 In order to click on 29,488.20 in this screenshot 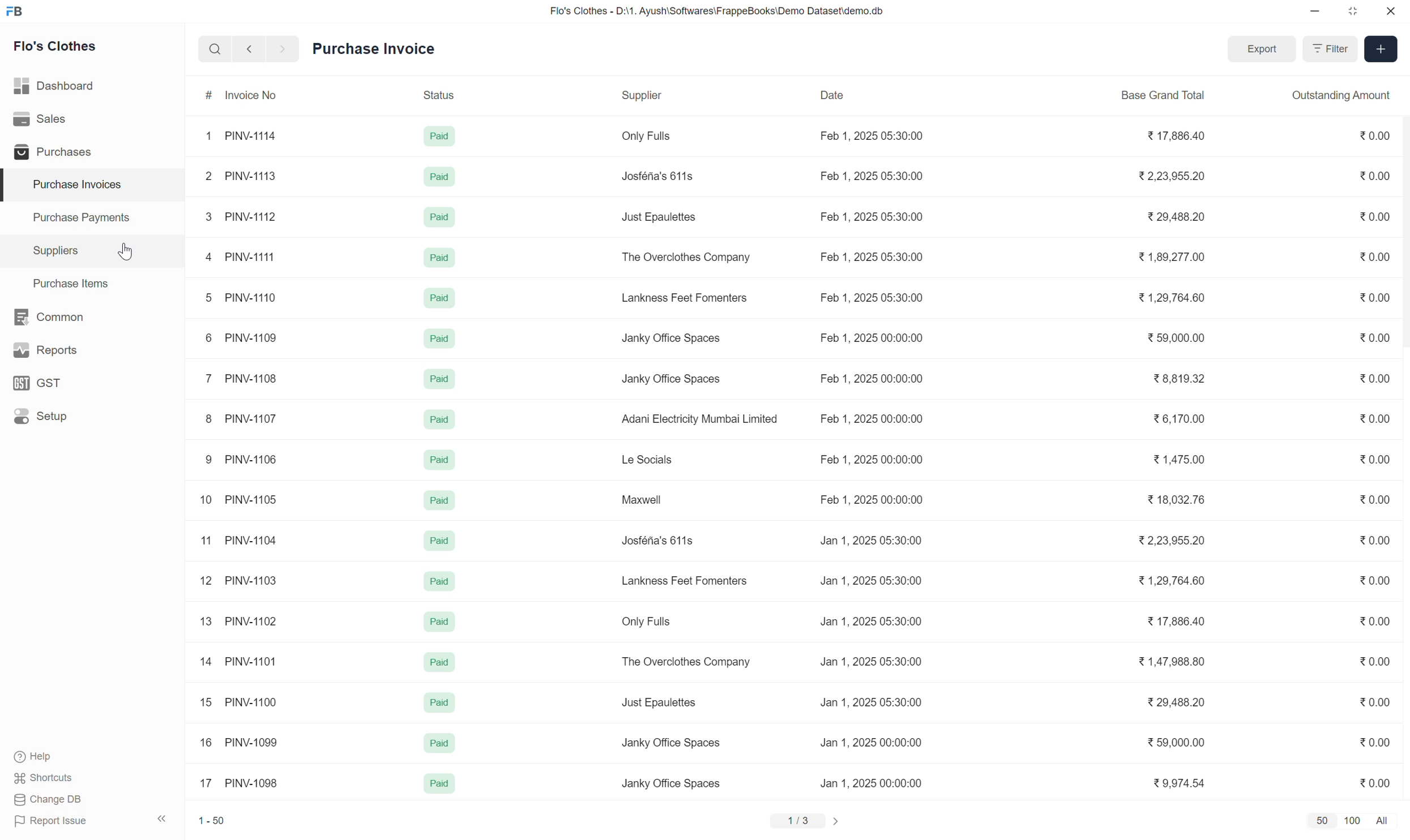, I will do `click(1177, 702)`.